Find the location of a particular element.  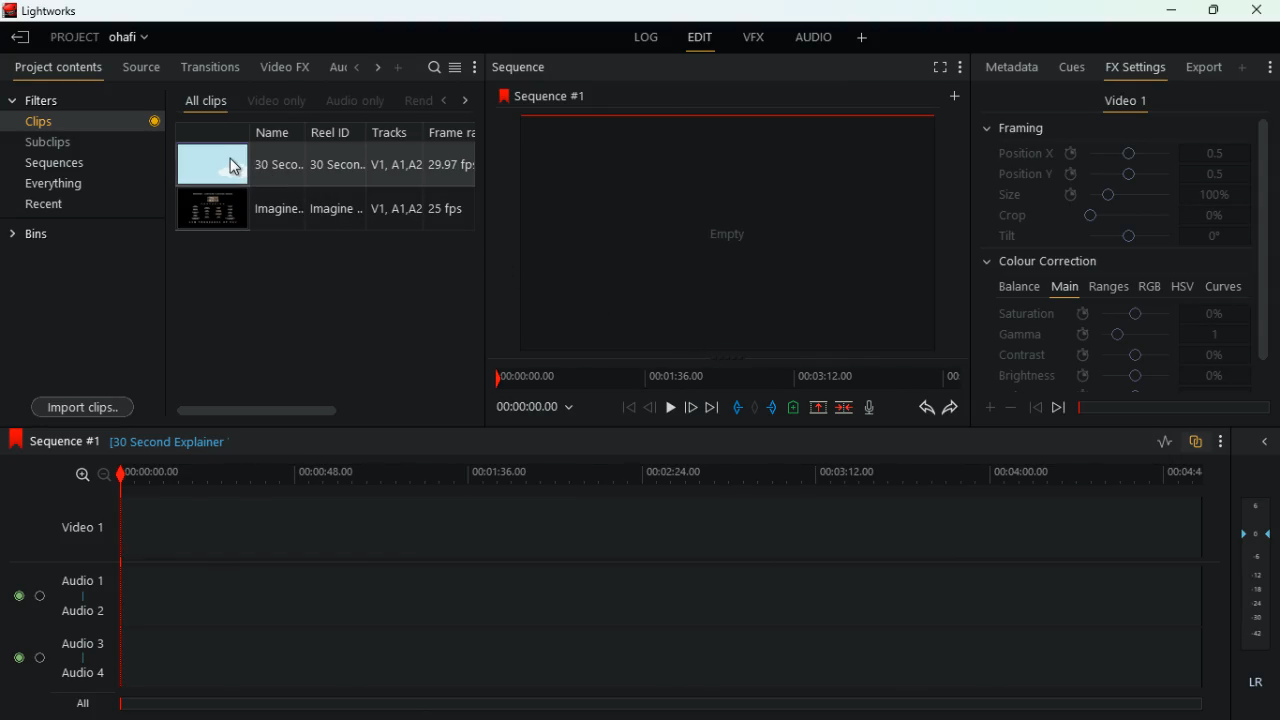

back is located at coordinates (23, 39).